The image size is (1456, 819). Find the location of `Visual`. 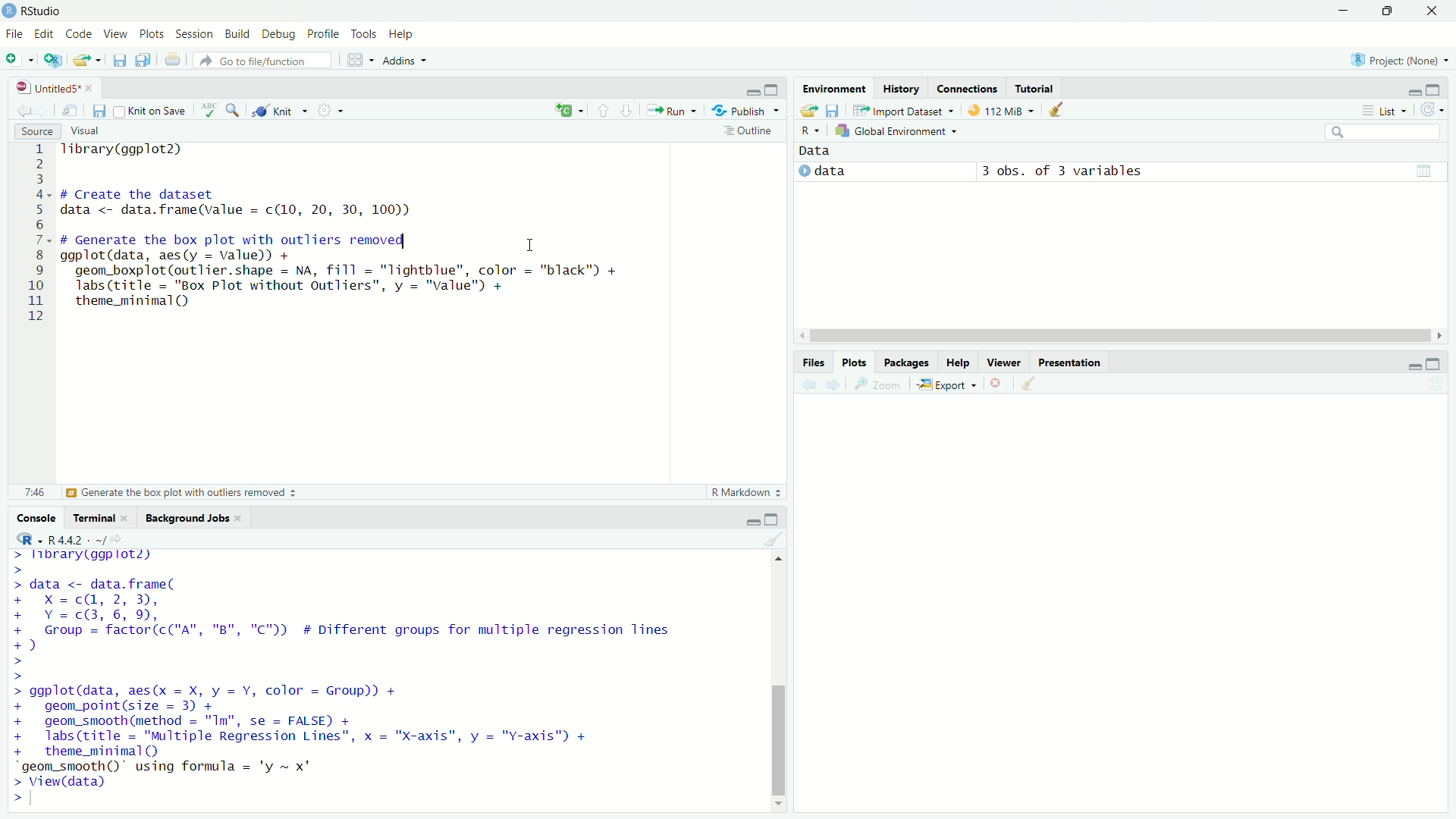

Visual is located at coordinates (89, 130).